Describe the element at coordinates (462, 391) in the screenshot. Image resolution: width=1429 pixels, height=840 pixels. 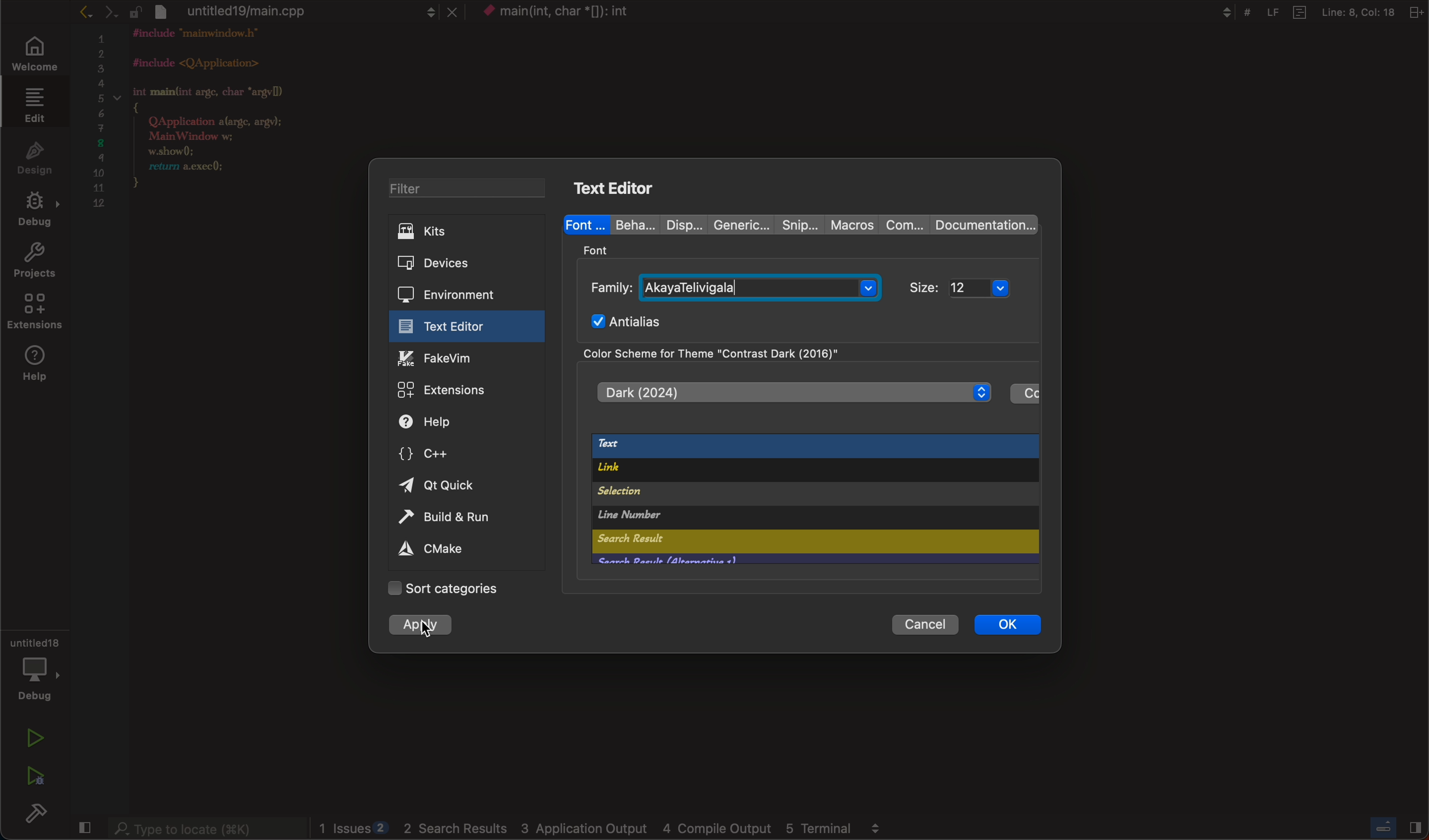
I see `extensions` at that location.